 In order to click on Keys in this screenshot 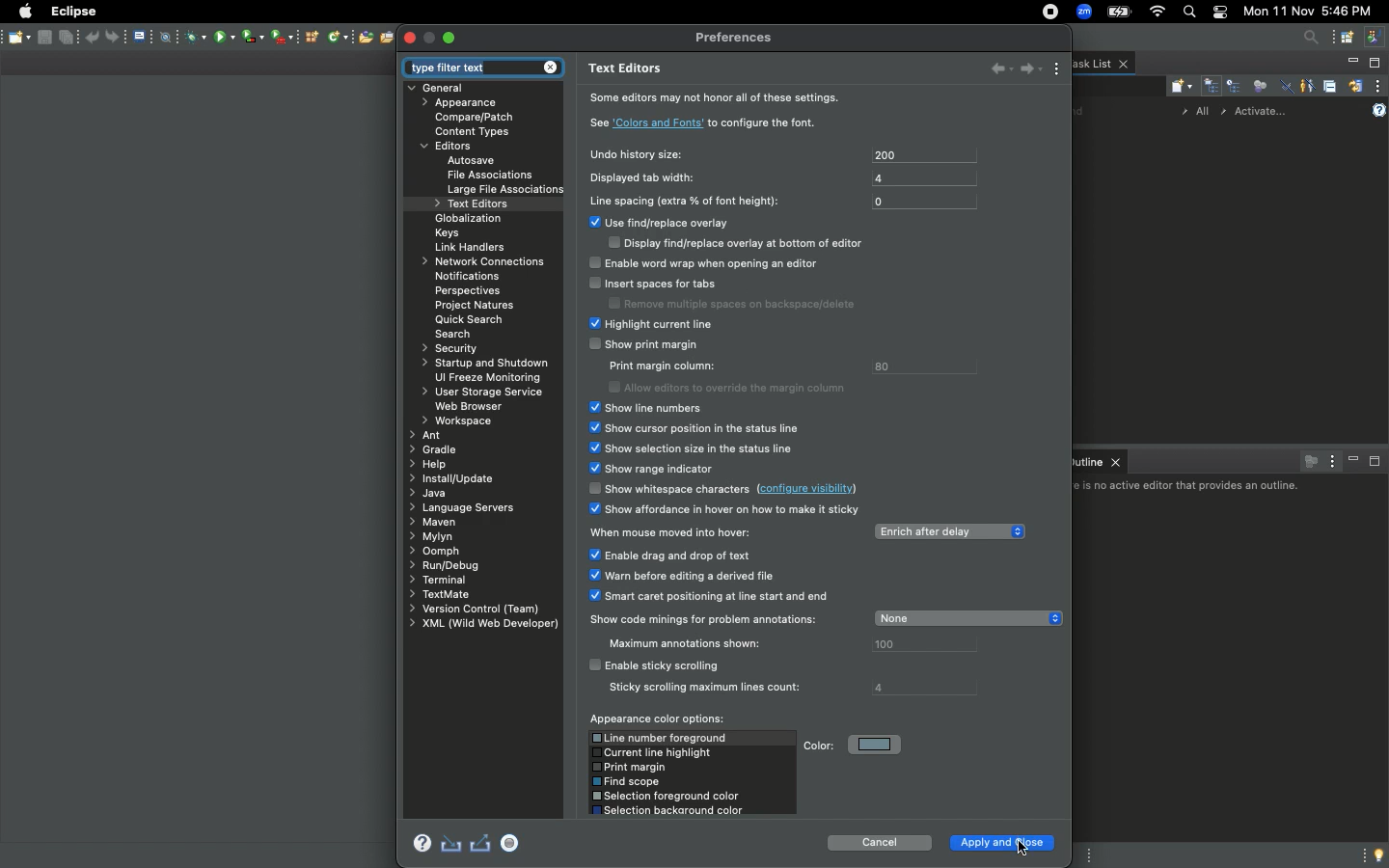, I will do `click(448, 233)`.